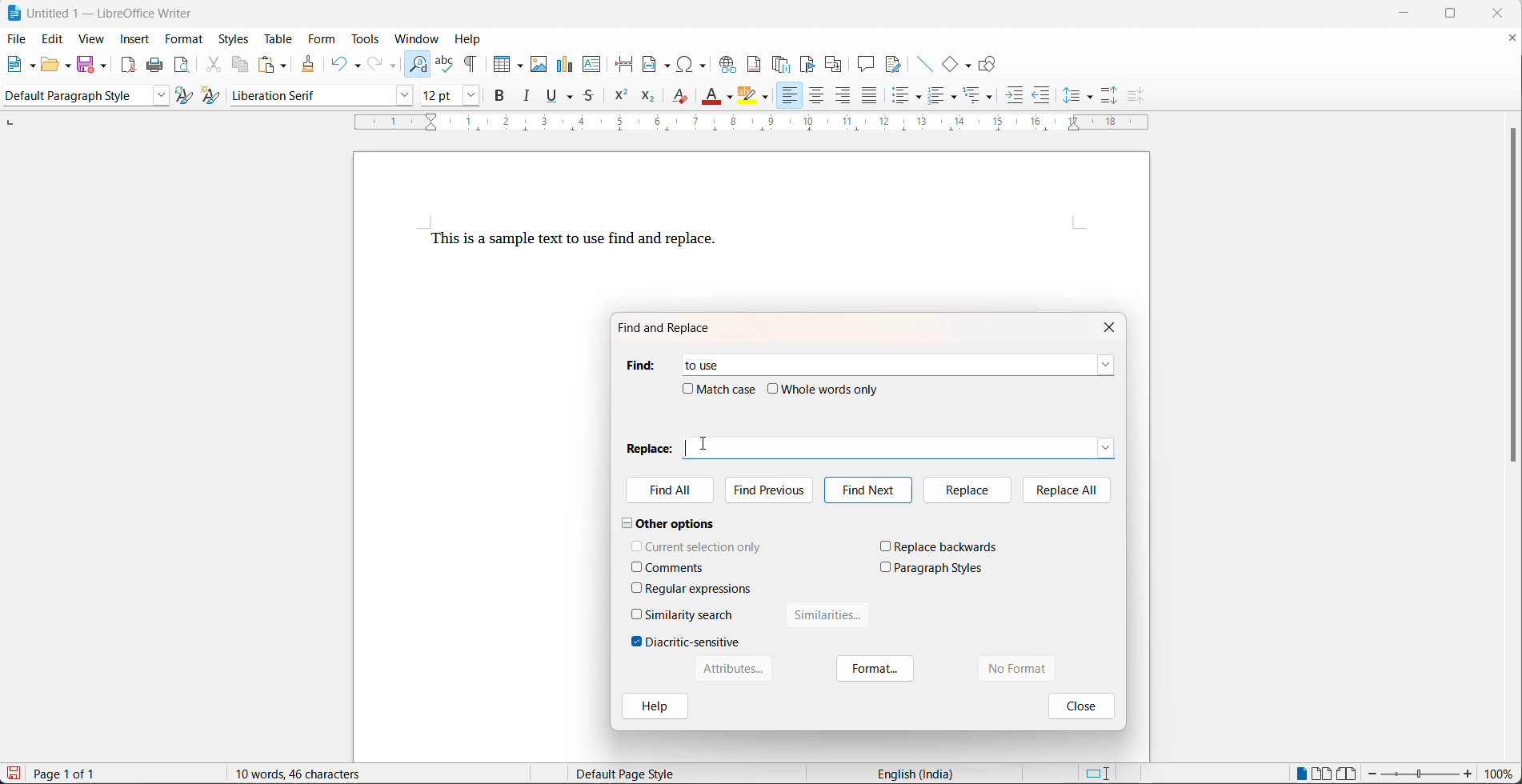 The image size is (1522, 784). Describe the element at coordinates (939, 568) in the screenshot. I see `paragraph styles` at that location.